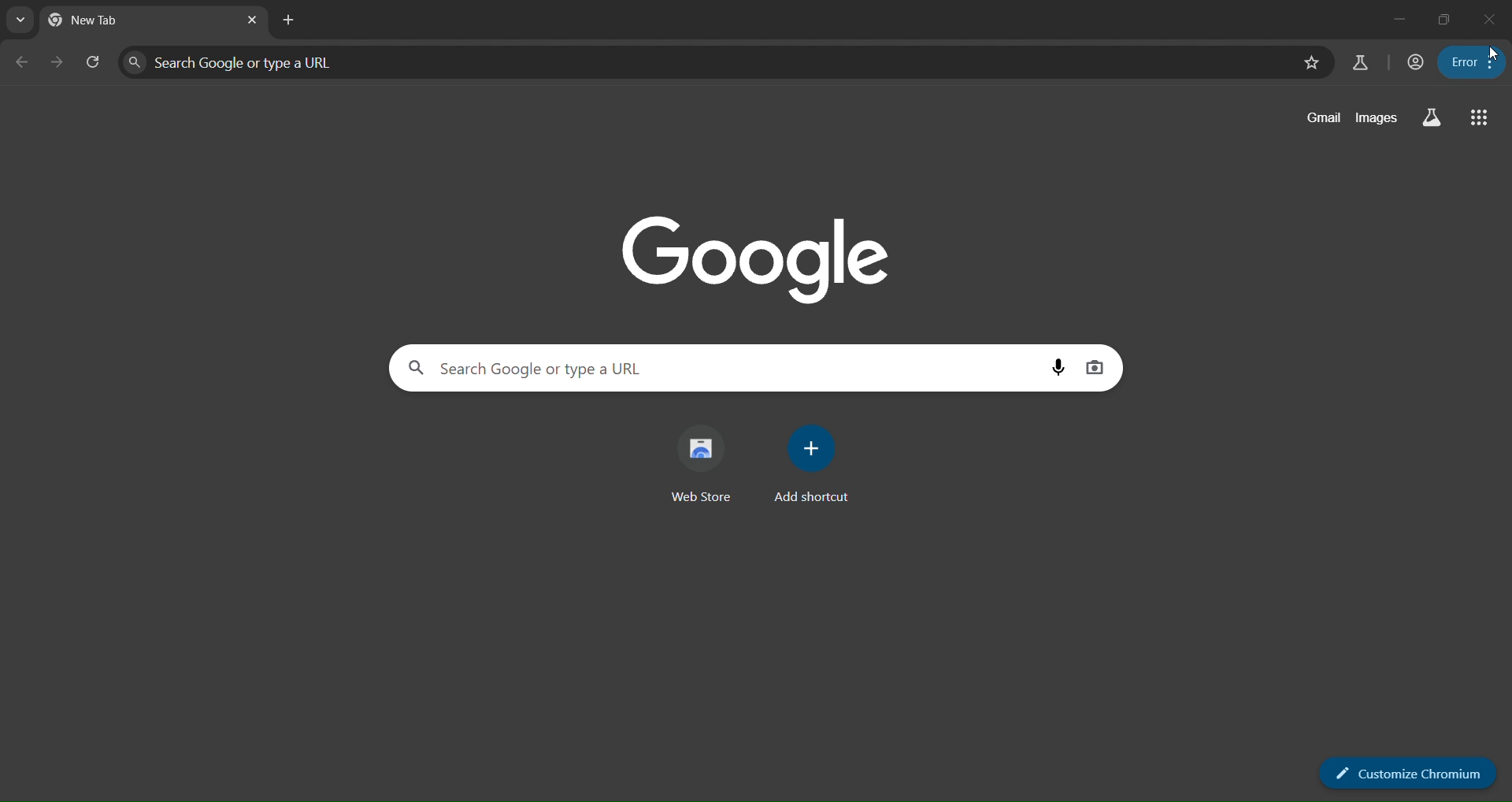 The image size is (1512, 802). What do you see at coordinates (1445, 19) in the screenshot?
I see `restore down` at bounding box center [1445, 19].